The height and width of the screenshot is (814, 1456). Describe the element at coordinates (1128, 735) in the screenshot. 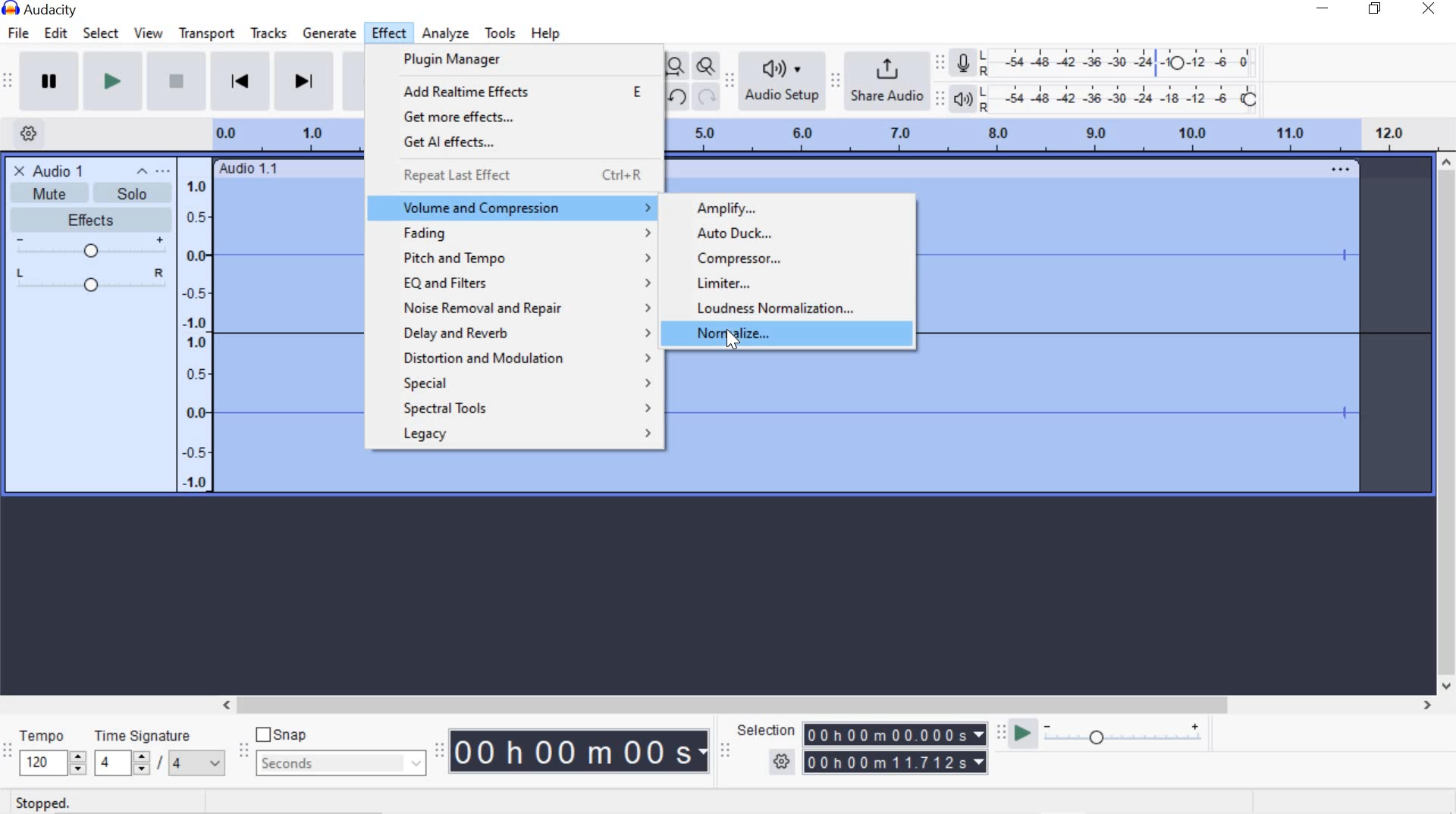

I see `Playback speed` at that location.